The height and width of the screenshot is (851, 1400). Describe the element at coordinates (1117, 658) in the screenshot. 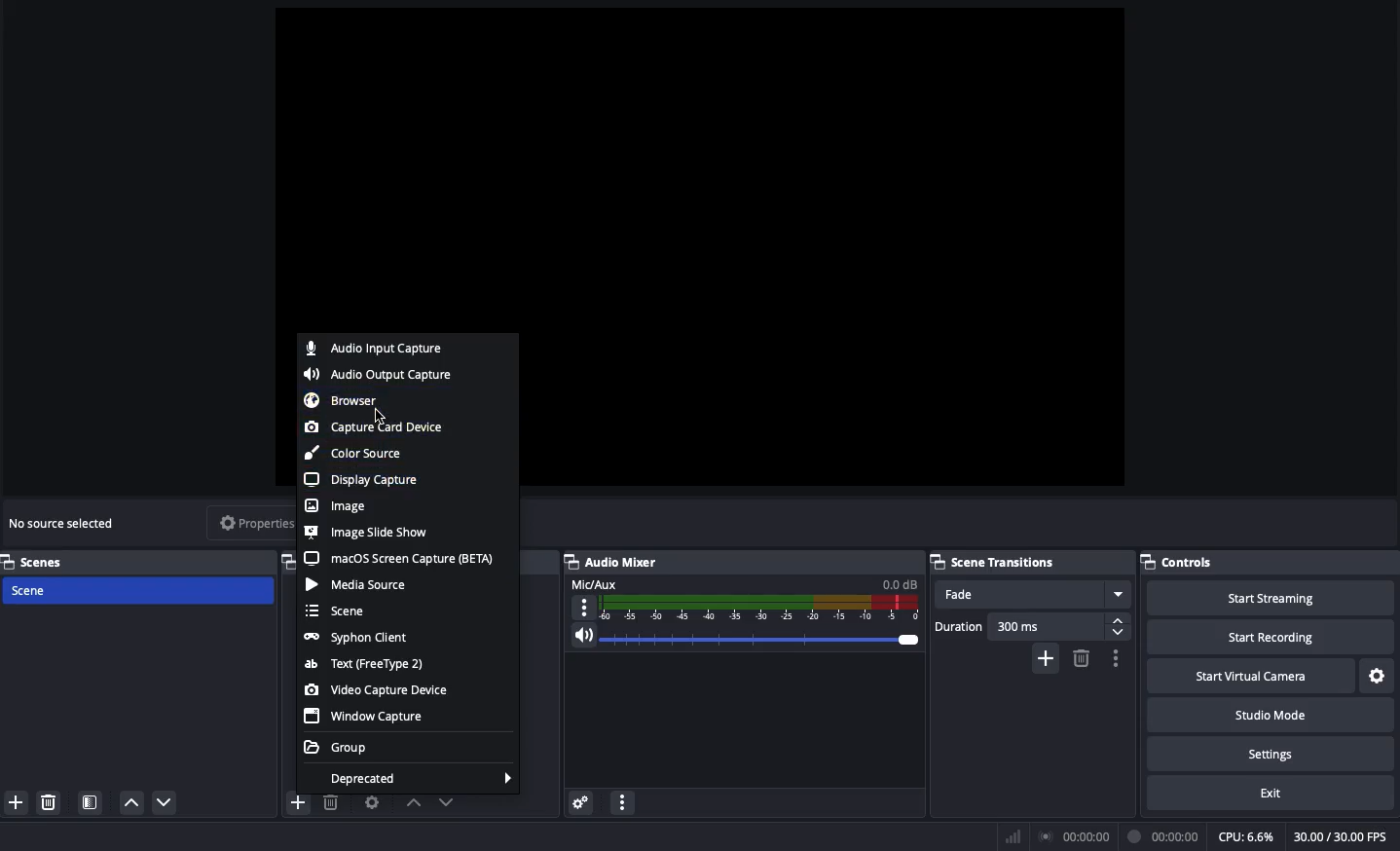

I see `Options` at that location.